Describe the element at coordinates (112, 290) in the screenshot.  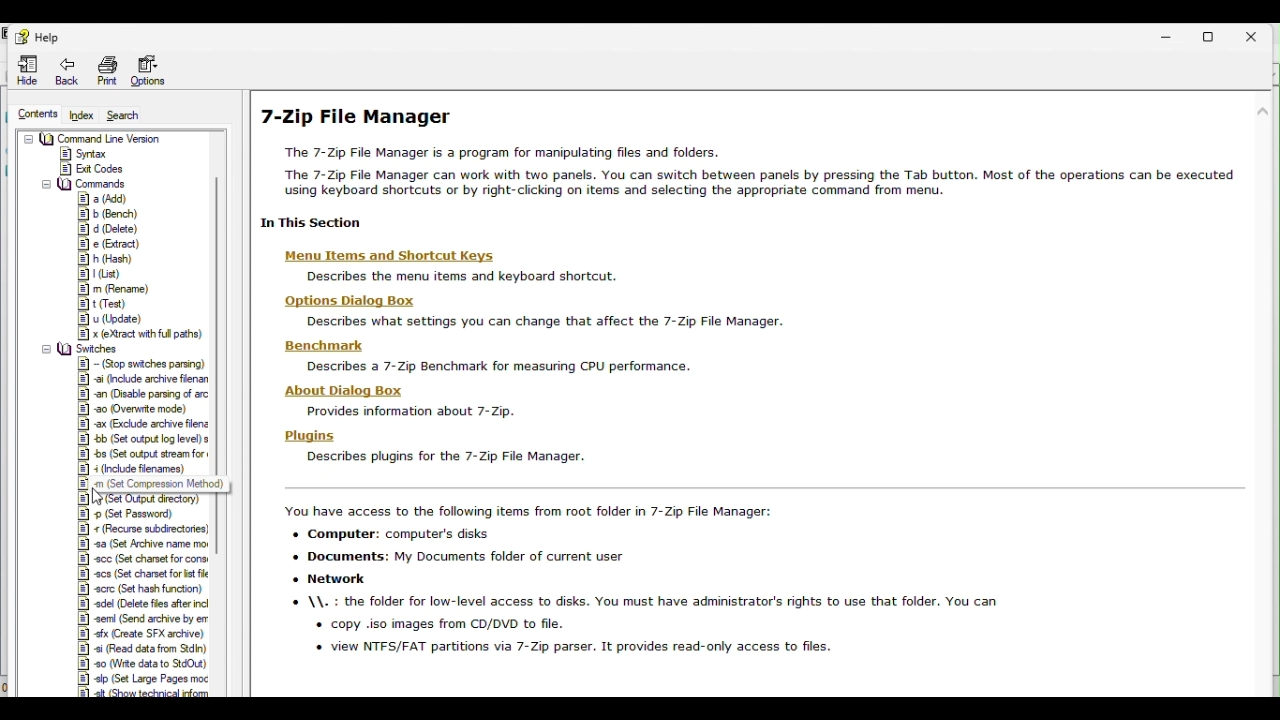
I see `rename` at that location.